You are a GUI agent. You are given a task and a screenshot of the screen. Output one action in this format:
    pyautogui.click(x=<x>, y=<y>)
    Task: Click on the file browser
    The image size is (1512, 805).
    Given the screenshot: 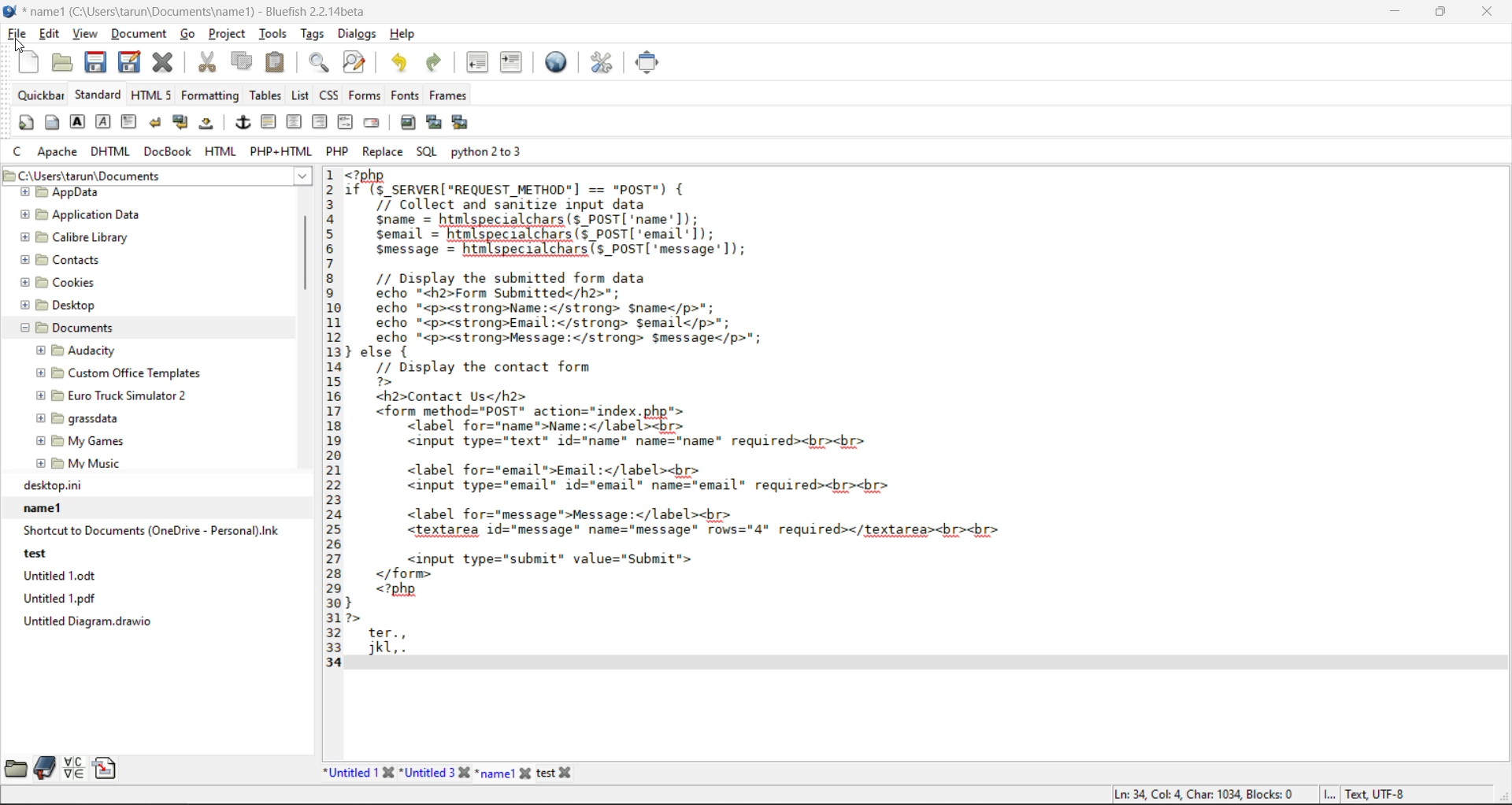 What is the action you would take?
    pyautogui.click(x=17, y=766)
    